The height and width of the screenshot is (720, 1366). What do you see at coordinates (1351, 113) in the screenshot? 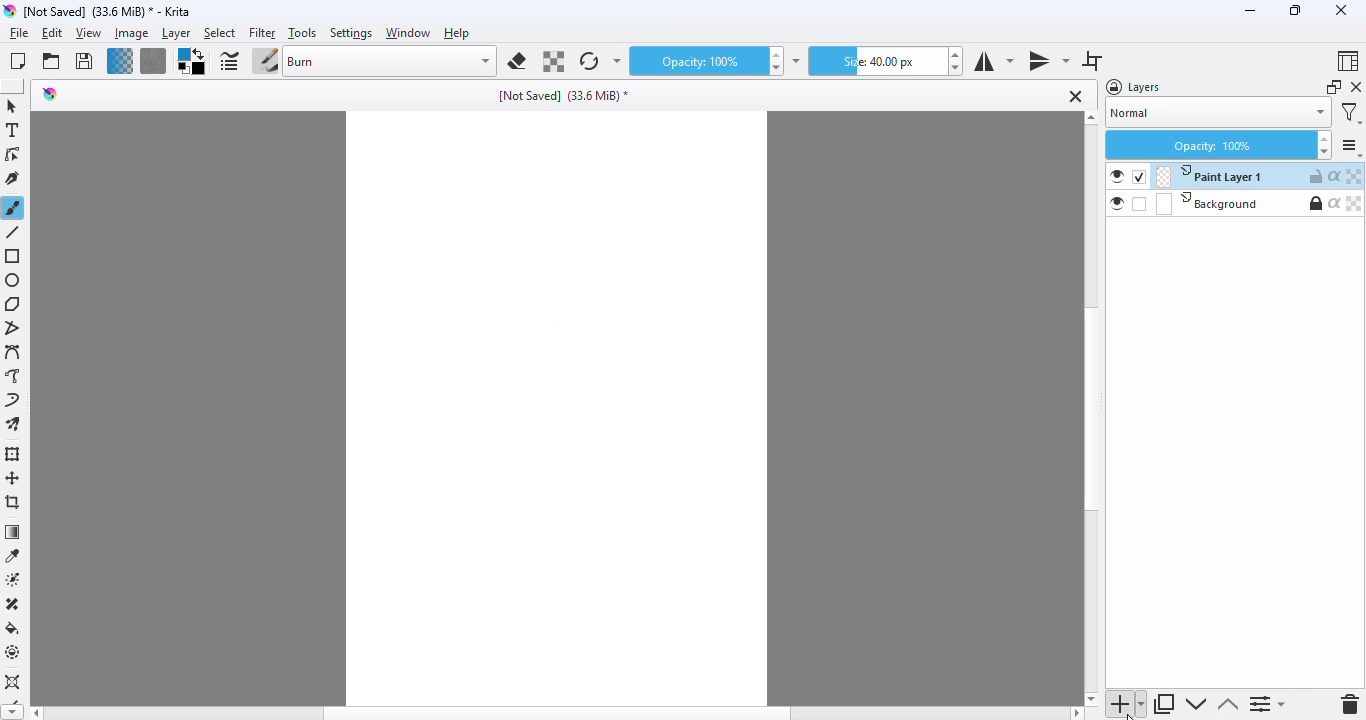
I see `filter` at bounding box center [1351, 113].